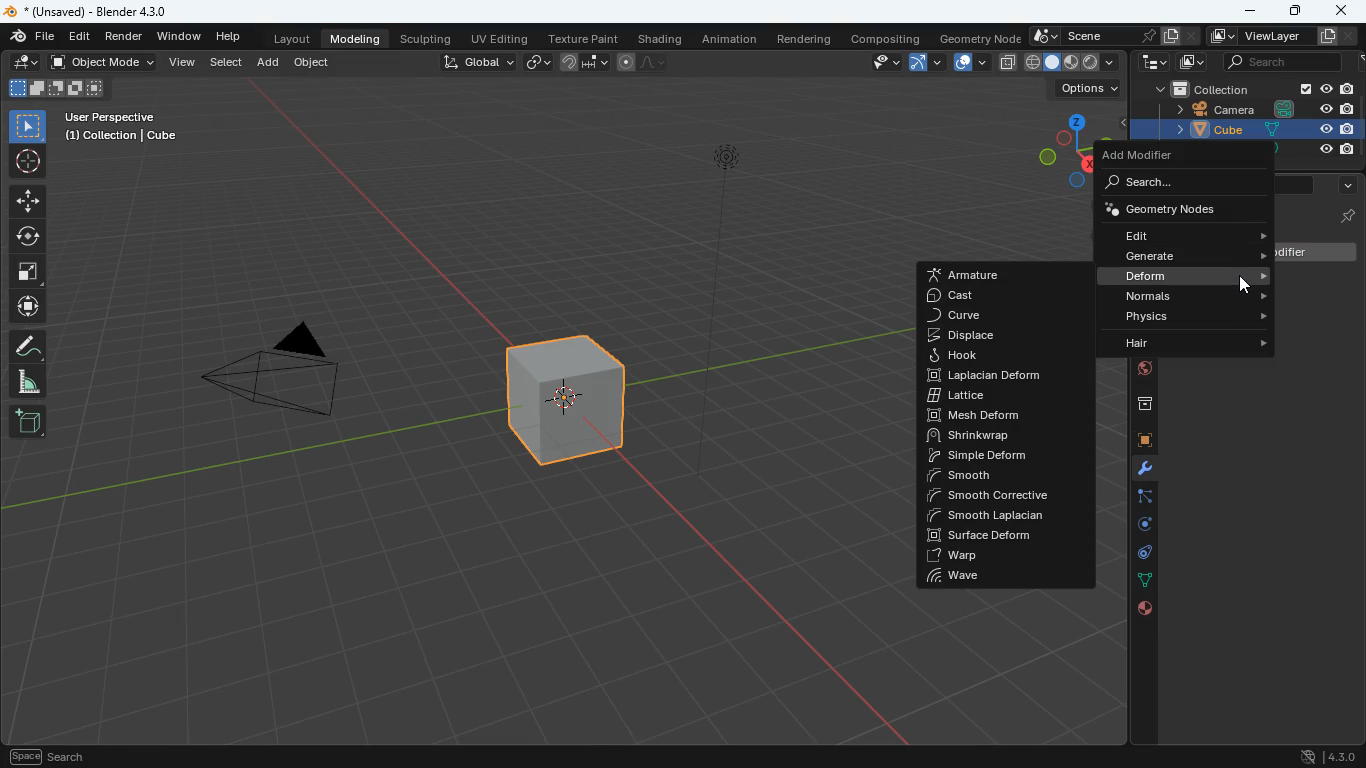 The height and width of the screenshot is (768, 1366). What do you see at coordinates (581, 36) in the screenshot?
I see `texture paint` at bounding box center [581, 36].